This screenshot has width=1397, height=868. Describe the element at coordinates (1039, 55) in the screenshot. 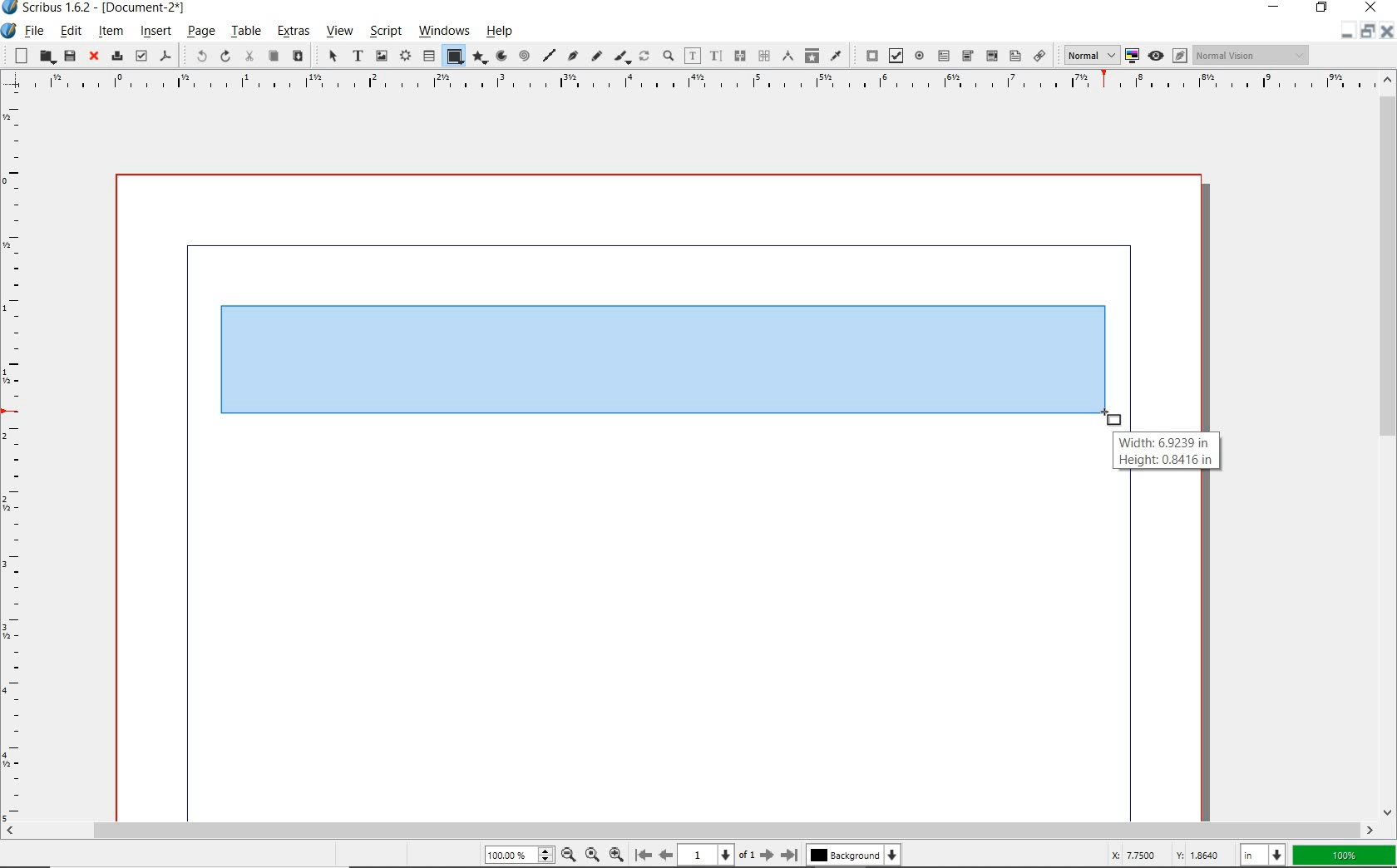

I see `link annotation` at that location.